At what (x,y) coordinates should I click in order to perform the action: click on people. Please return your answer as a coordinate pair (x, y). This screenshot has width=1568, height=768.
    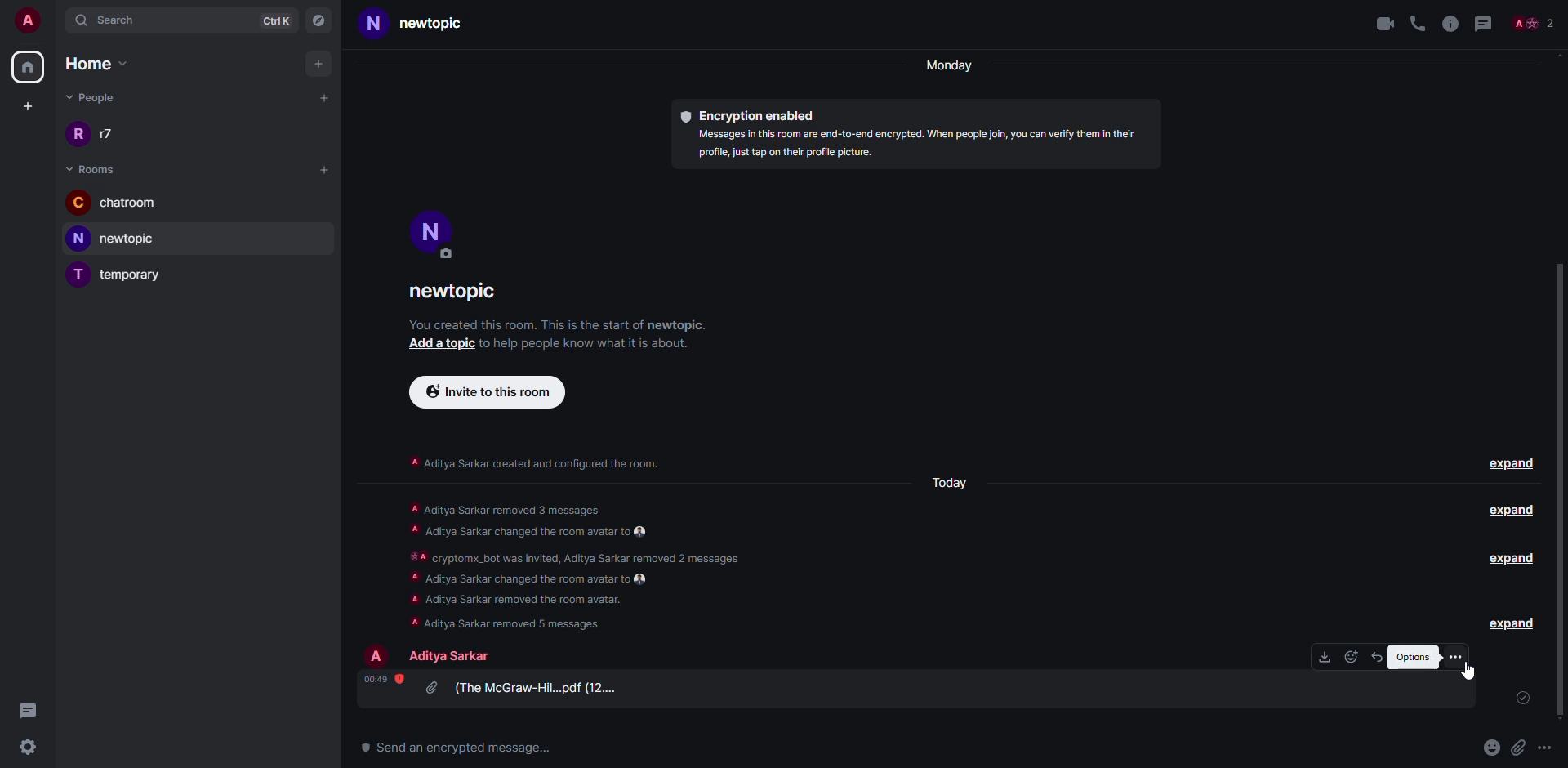
    Looking at the image, I should click on (1535, 23).